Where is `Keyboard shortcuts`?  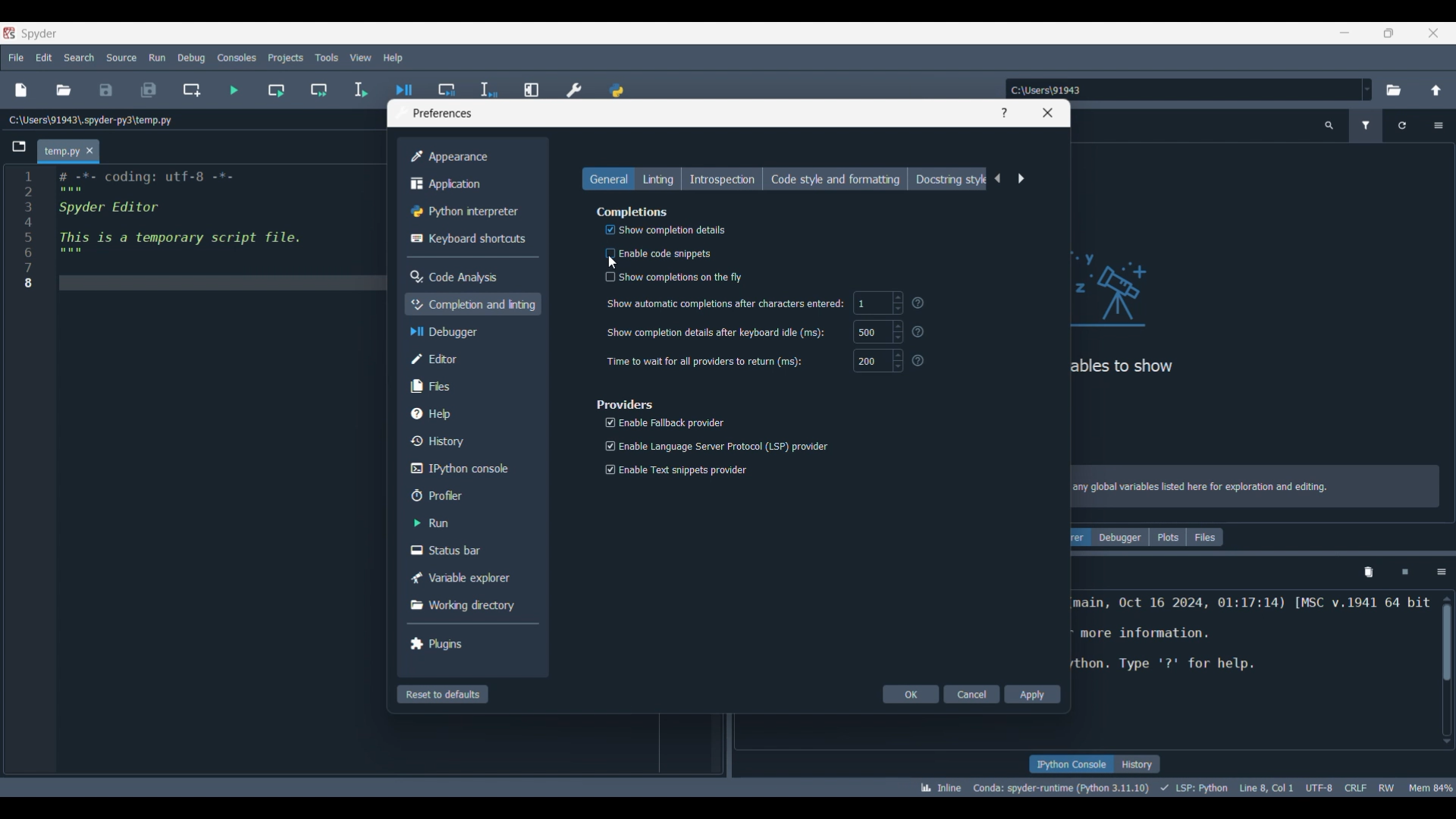
Keyboard shortcuts is located at coordinates (469, 239).